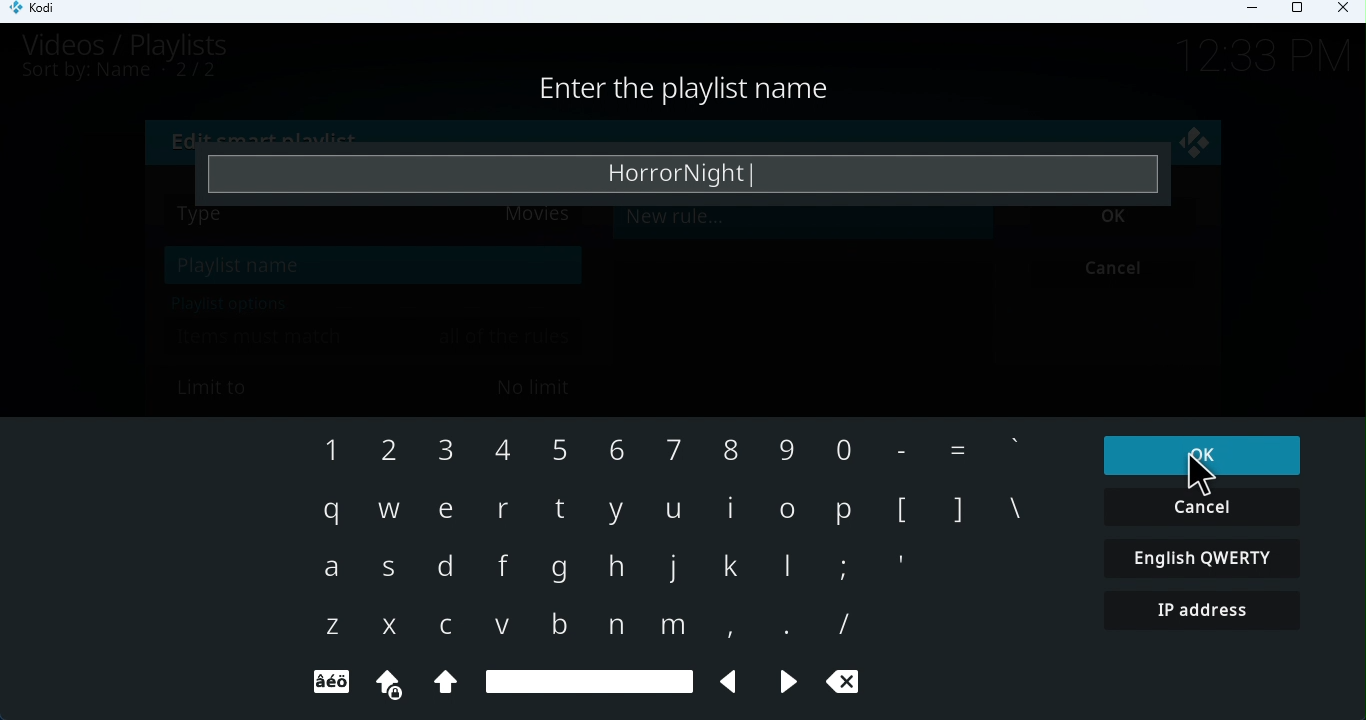 The image size is (1366, 720). What do you see at coordinates (688, 173) in the screenshot?
I see `Enter playlist name` at bounding box center [688, 173].